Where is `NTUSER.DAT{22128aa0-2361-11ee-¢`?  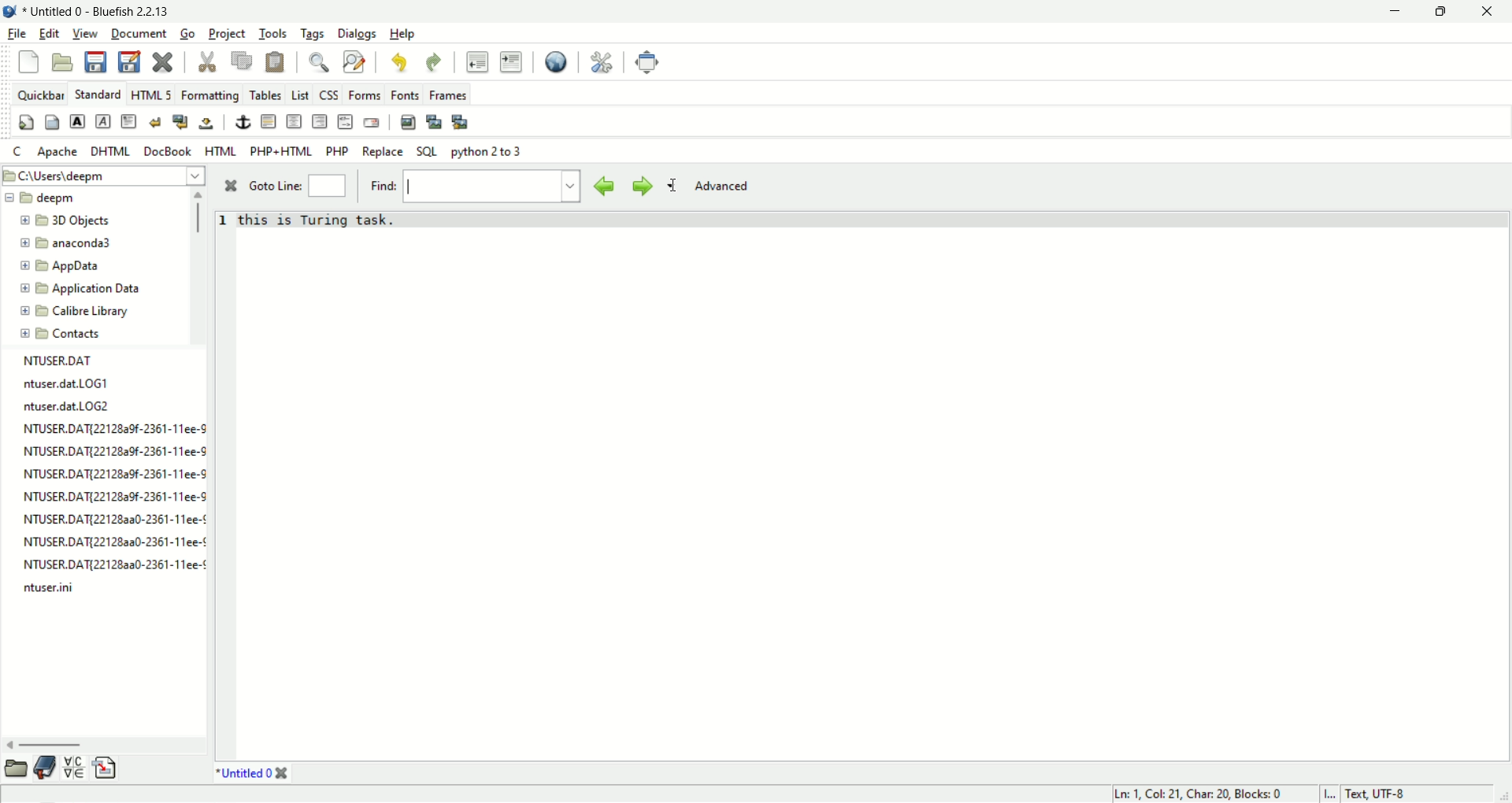
NTUSER.DAT{22128aa0-2361-11ee-¢ is located at coordinates (117, 563).